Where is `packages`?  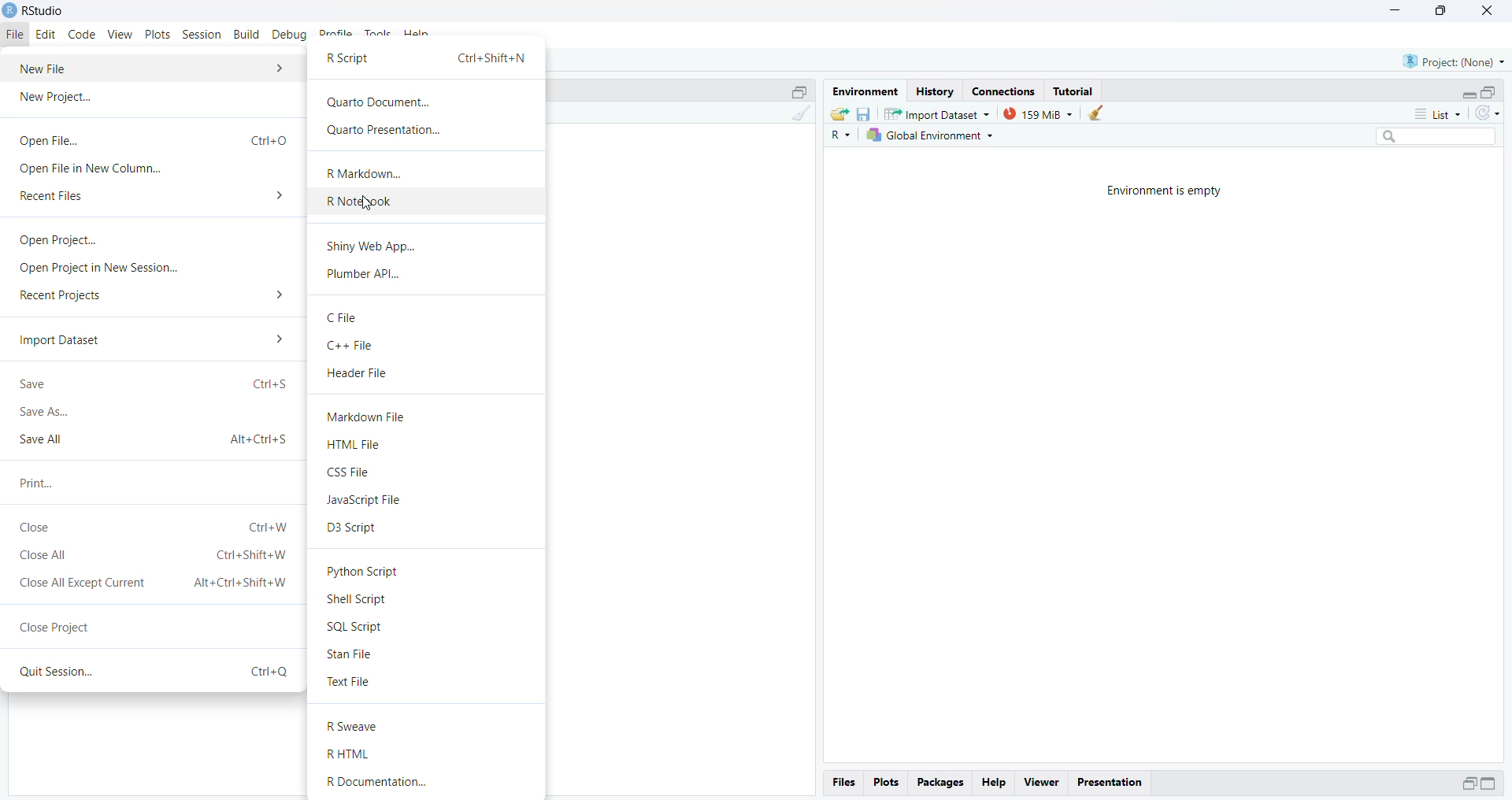 packages is located at coordinates (941, 782).